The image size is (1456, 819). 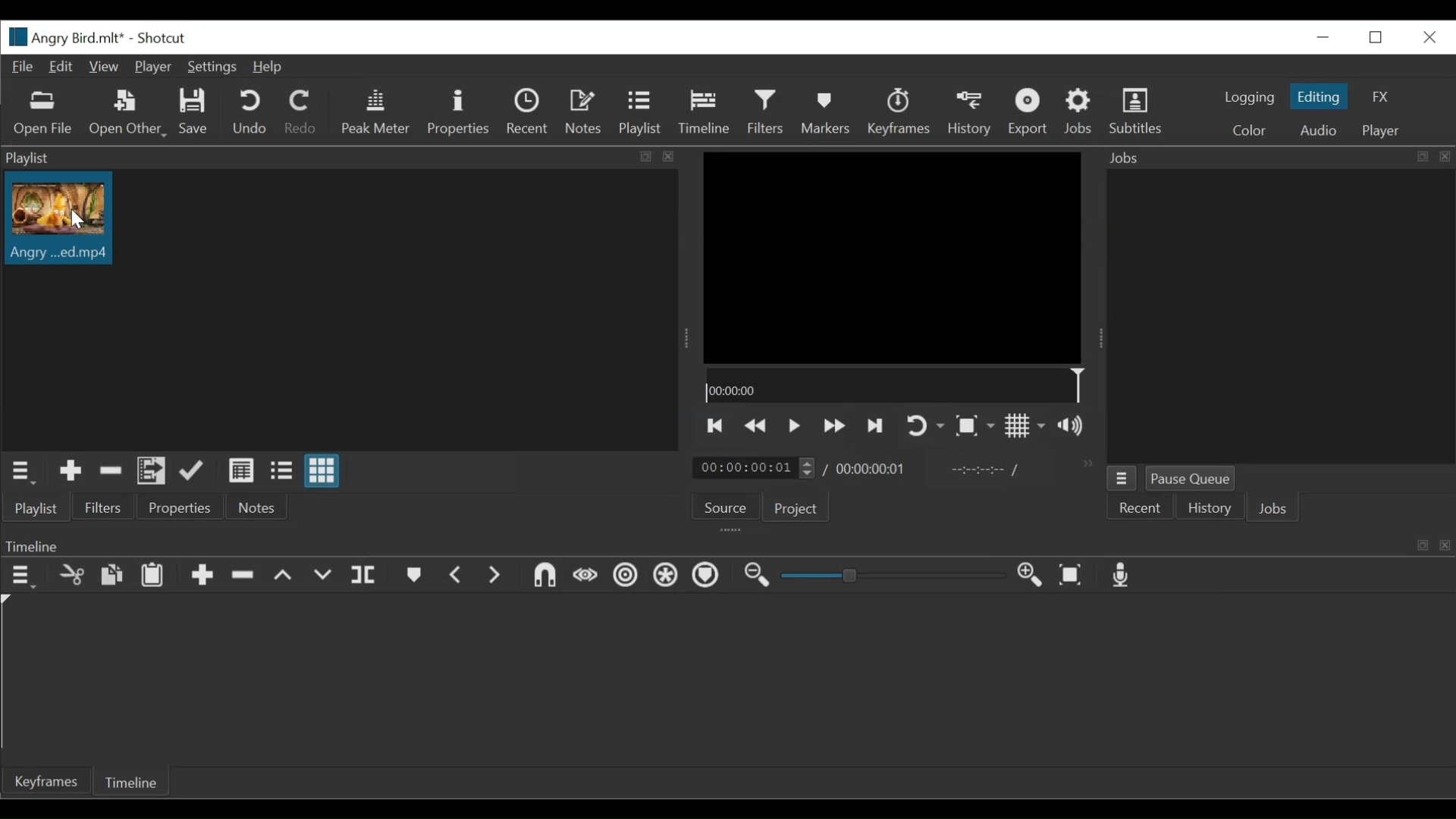 I want to click on player, so click(x=1381, y=130).